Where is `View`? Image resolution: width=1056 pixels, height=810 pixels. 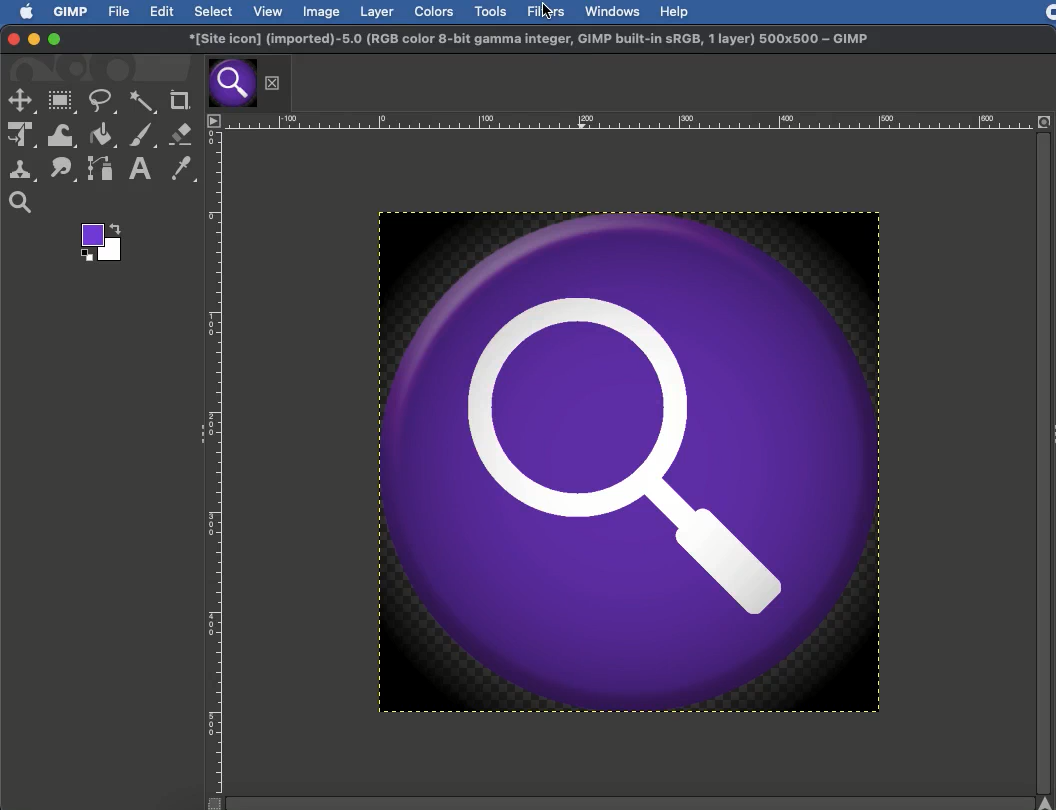
View is located at coordinates (268, 12).